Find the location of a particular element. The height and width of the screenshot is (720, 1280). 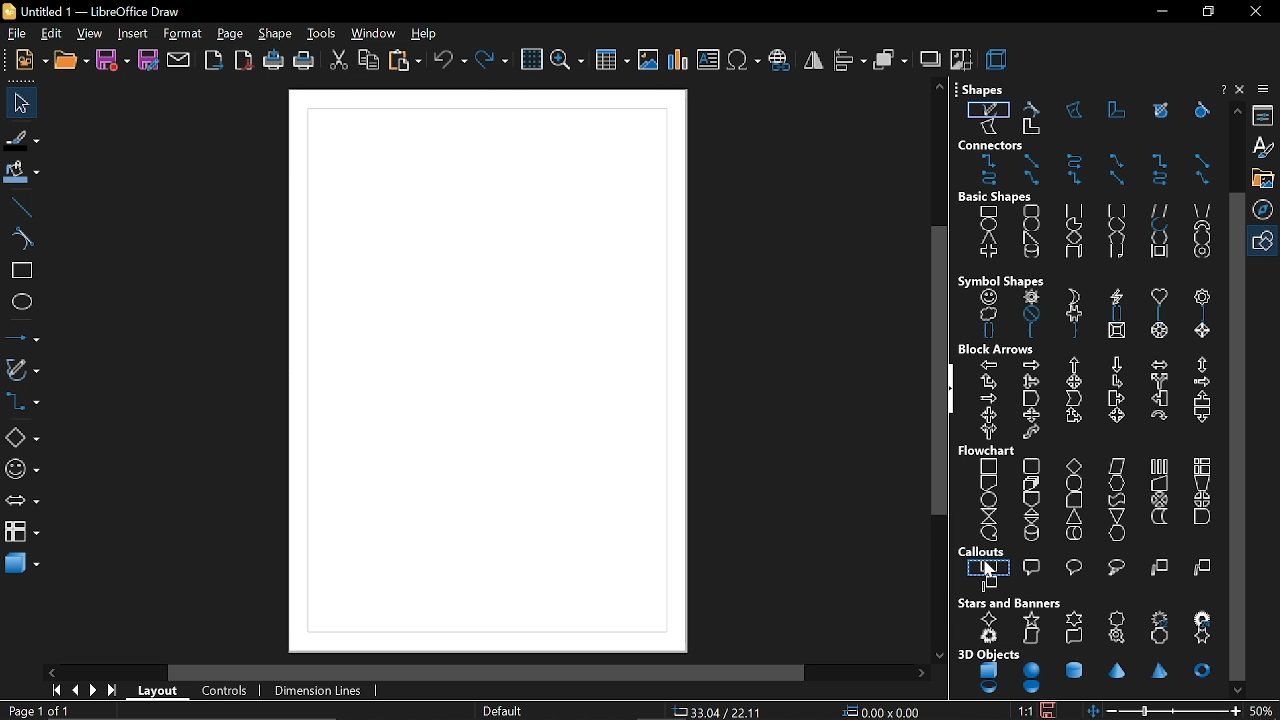

half sphere is located at coordinates (1032, 688).